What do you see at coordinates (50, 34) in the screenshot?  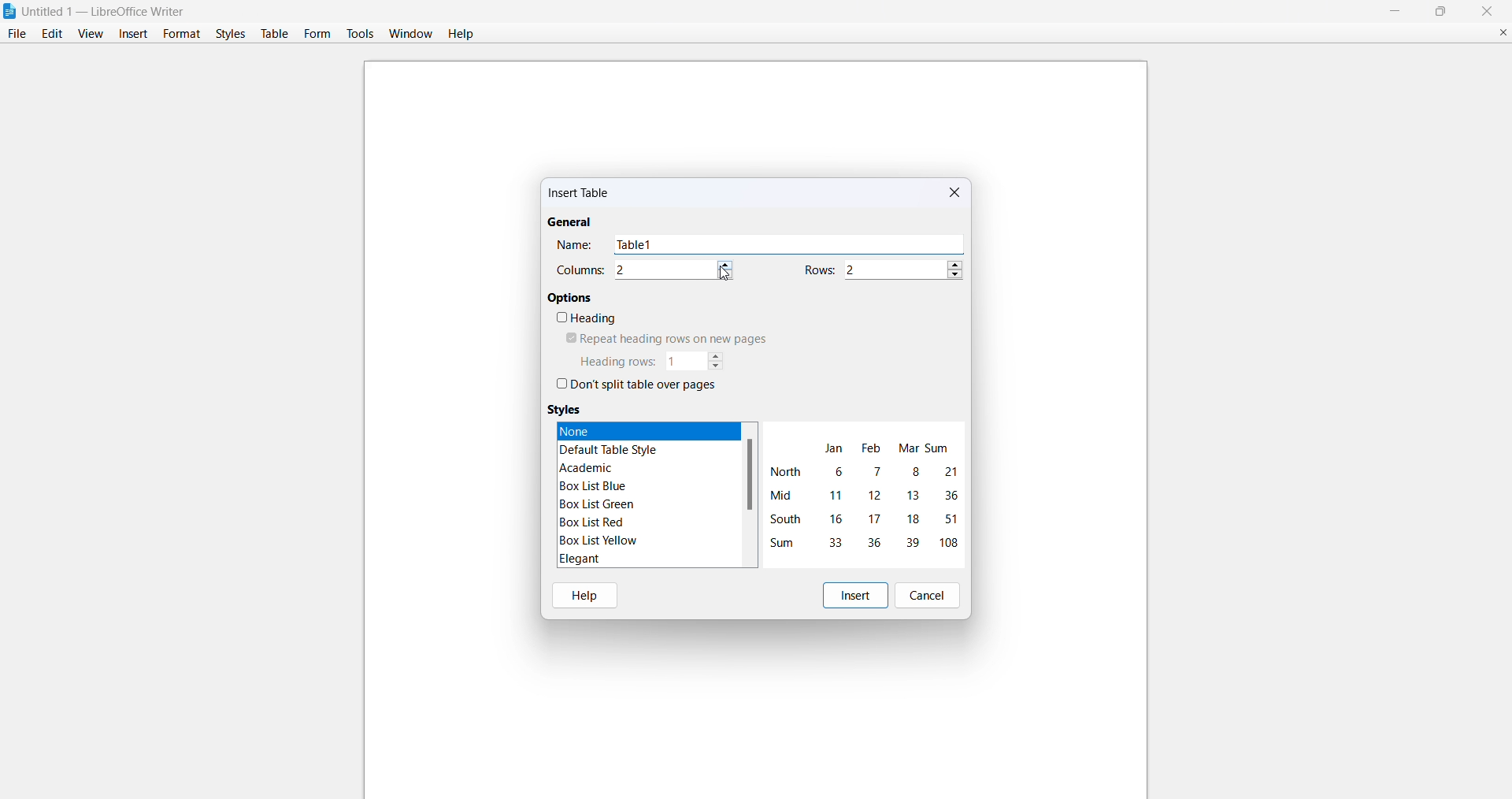 I see `edit` at bounding box center [50, 34].